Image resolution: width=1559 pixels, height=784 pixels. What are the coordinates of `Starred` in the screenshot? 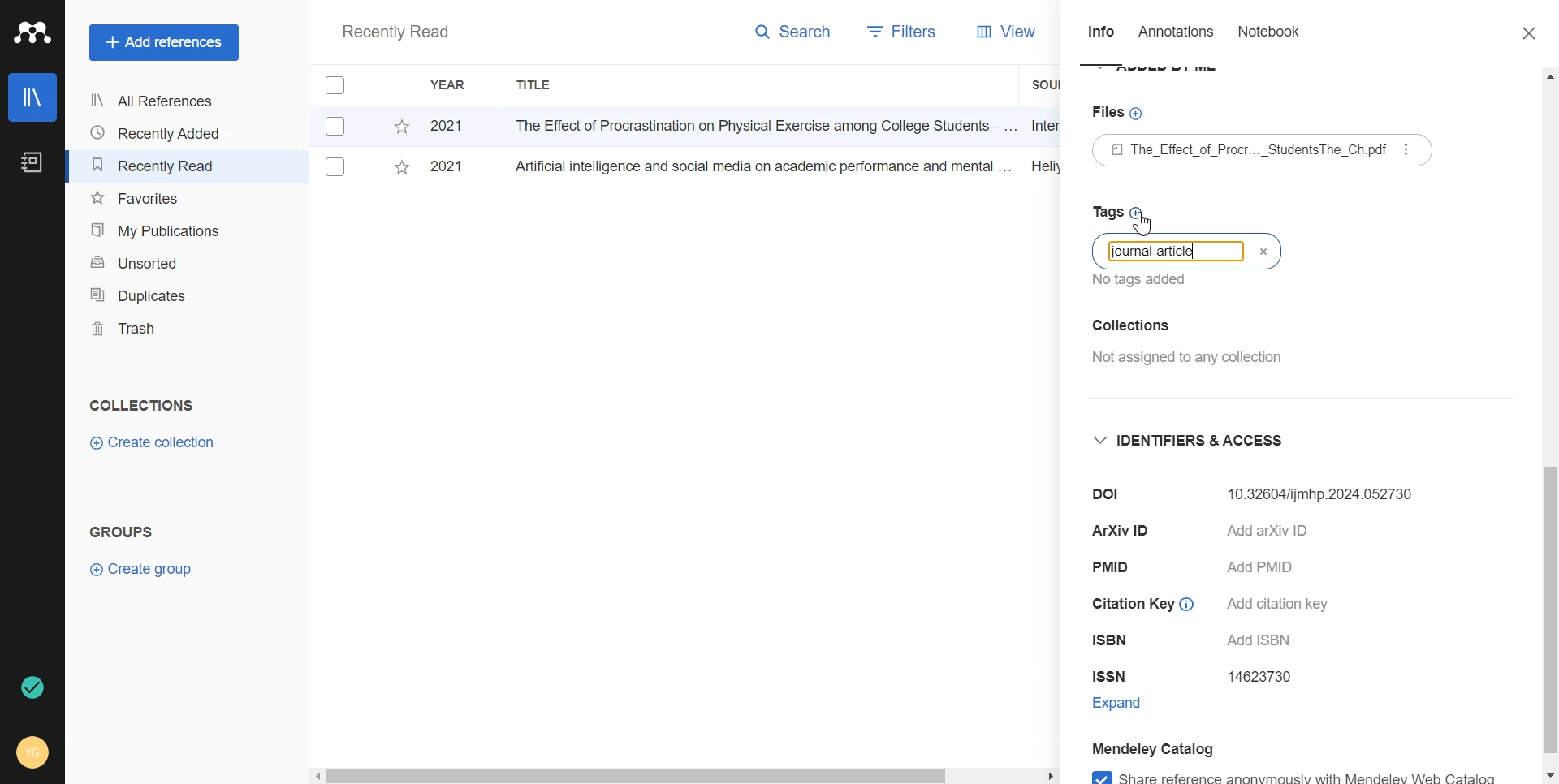 It's located at (401, 127).